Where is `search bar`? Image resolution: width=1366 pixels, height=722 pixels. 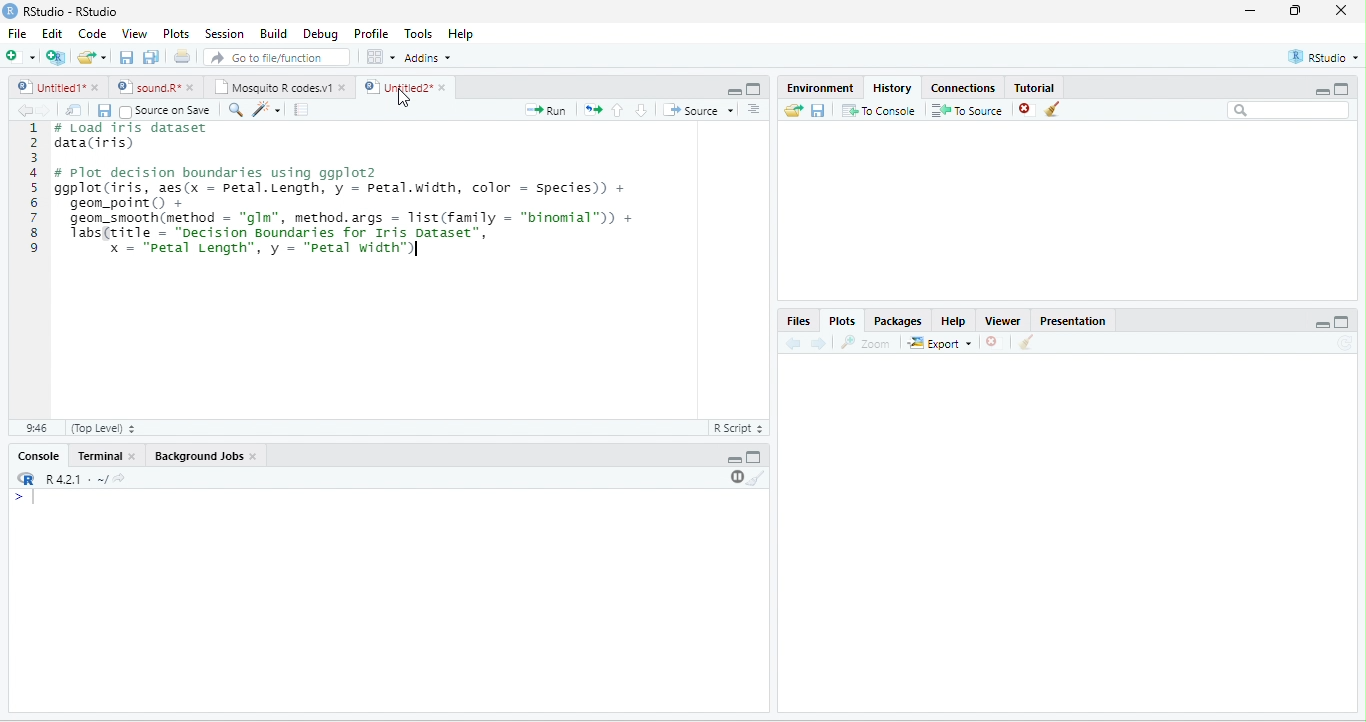
search bar is located at coordinates (1289, 109).